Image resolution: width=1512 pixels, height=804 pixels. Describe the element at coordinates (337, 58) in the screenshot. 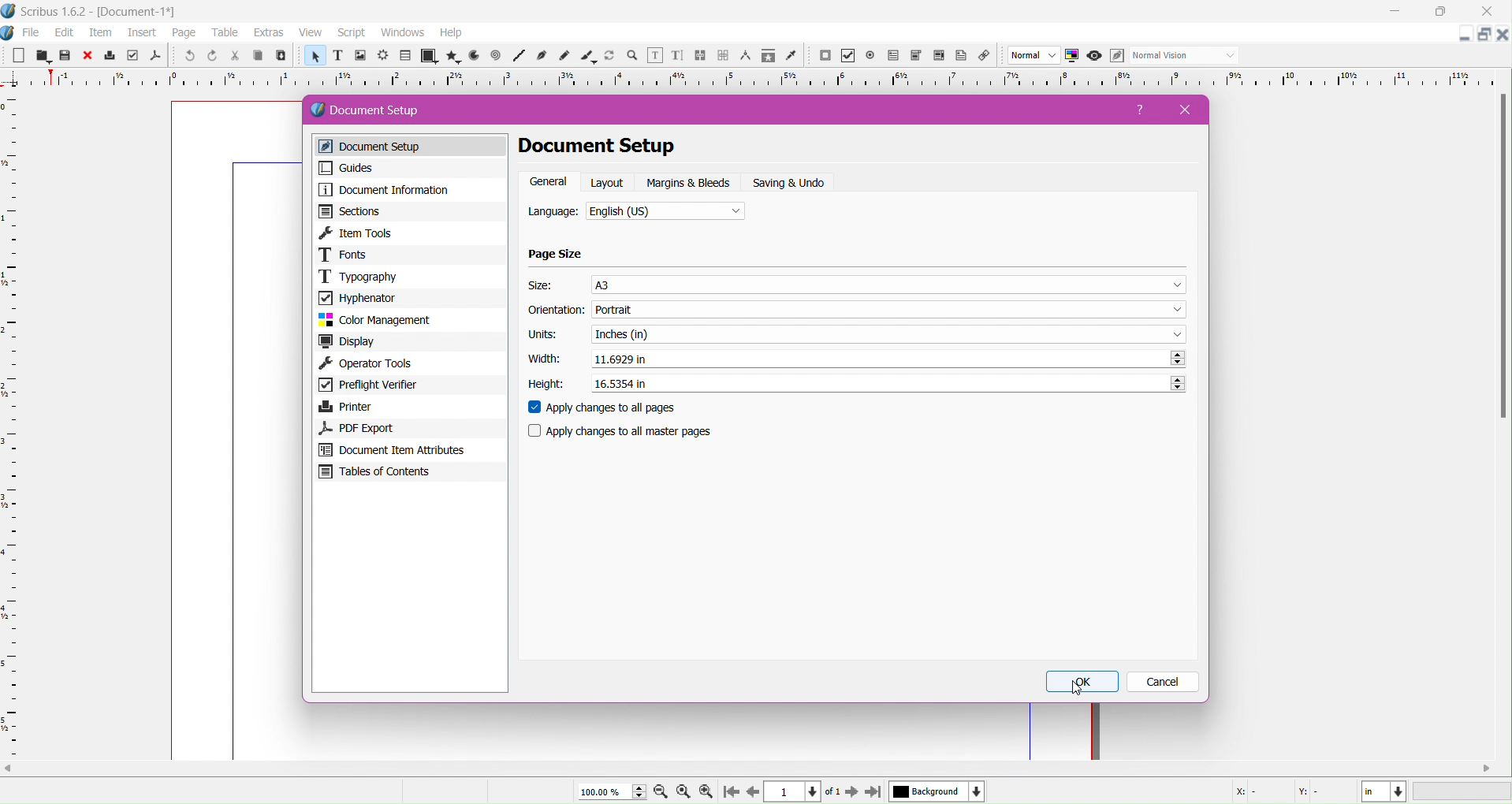

I see `text frame` at that location.